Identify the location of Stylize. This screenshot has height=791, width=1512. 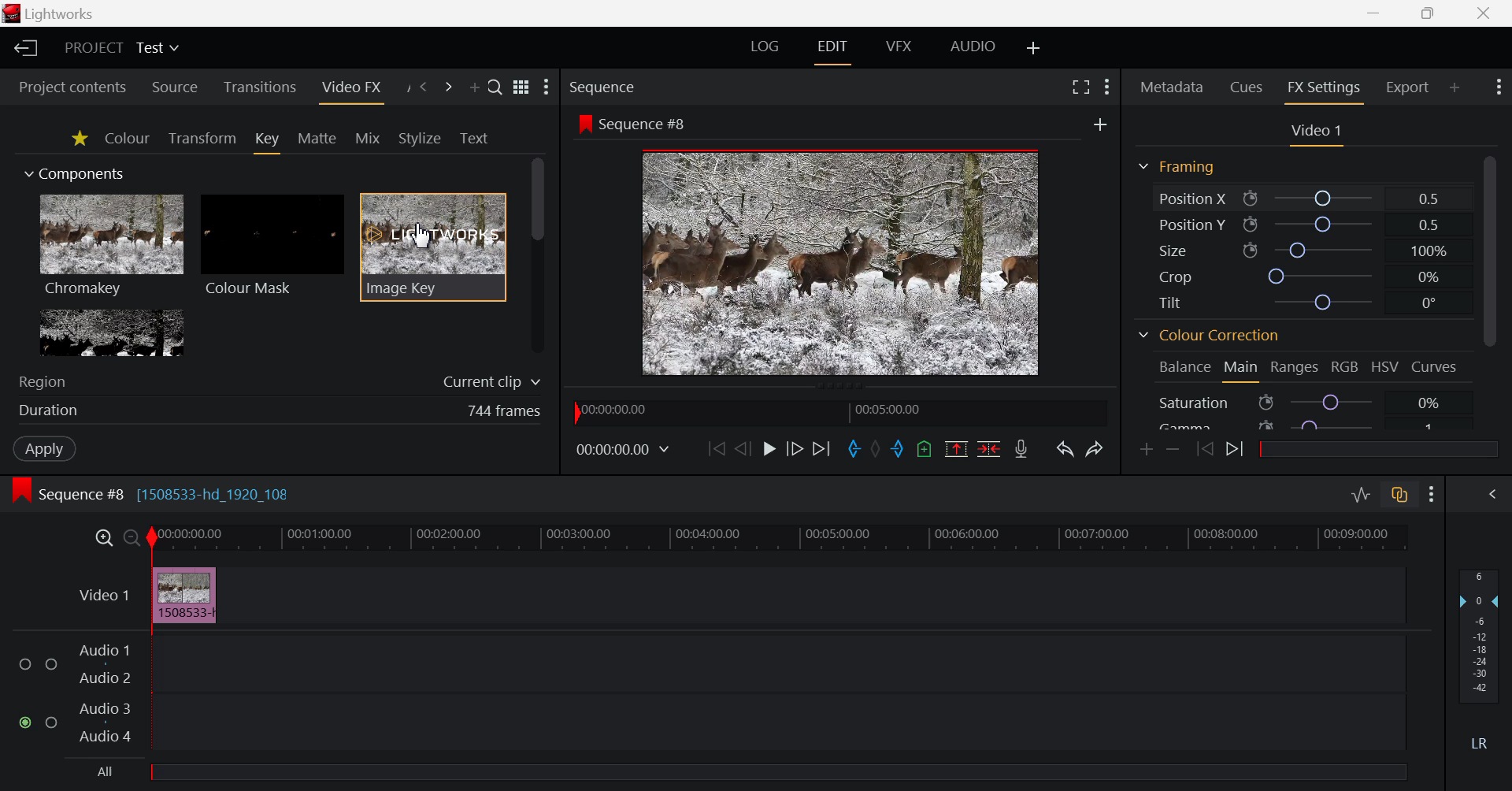
(419, 137).